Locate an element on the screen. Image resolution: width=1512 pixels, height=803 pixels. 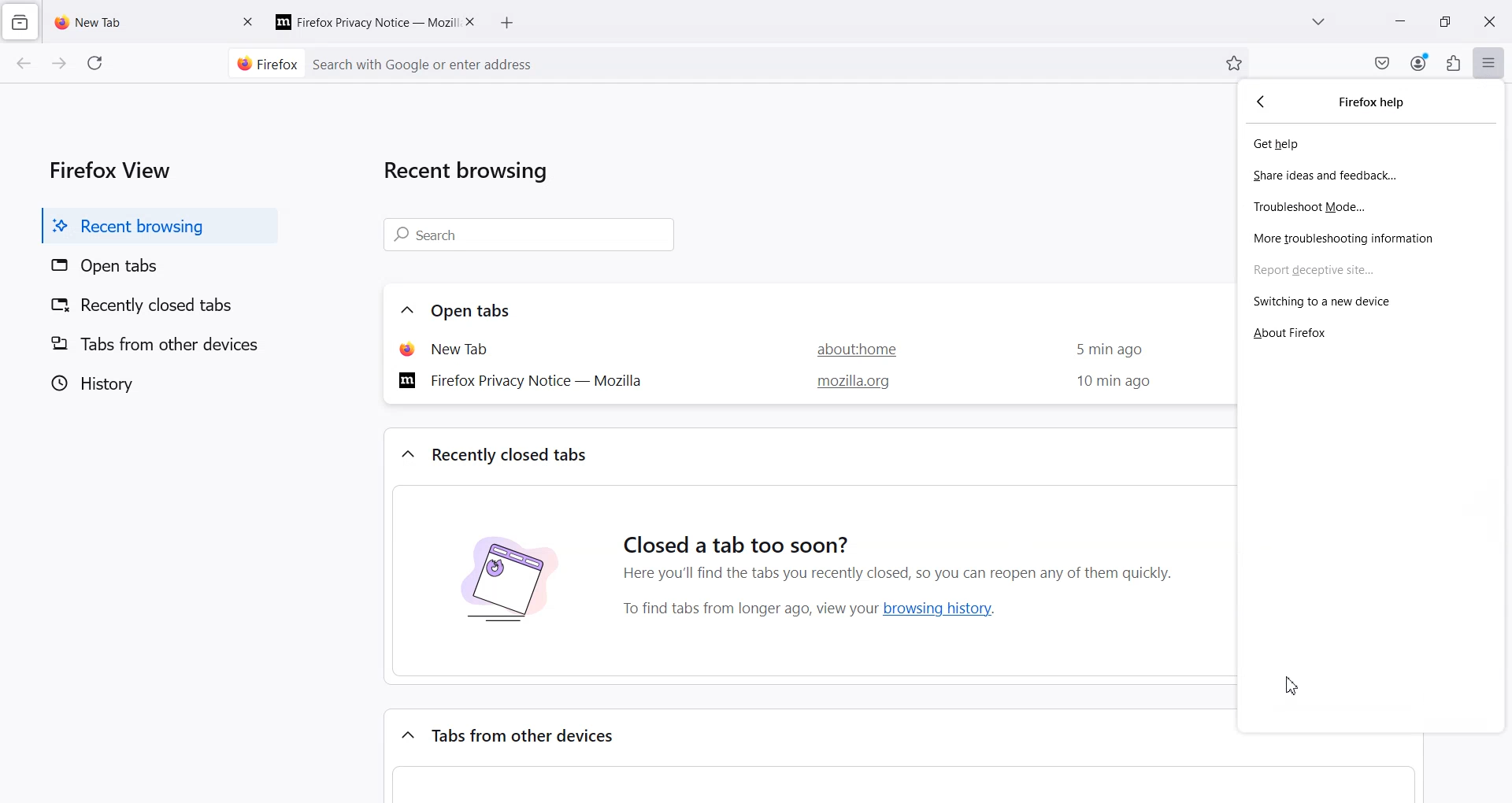
Search Recent Tabs is located at coordinates (532, 235).